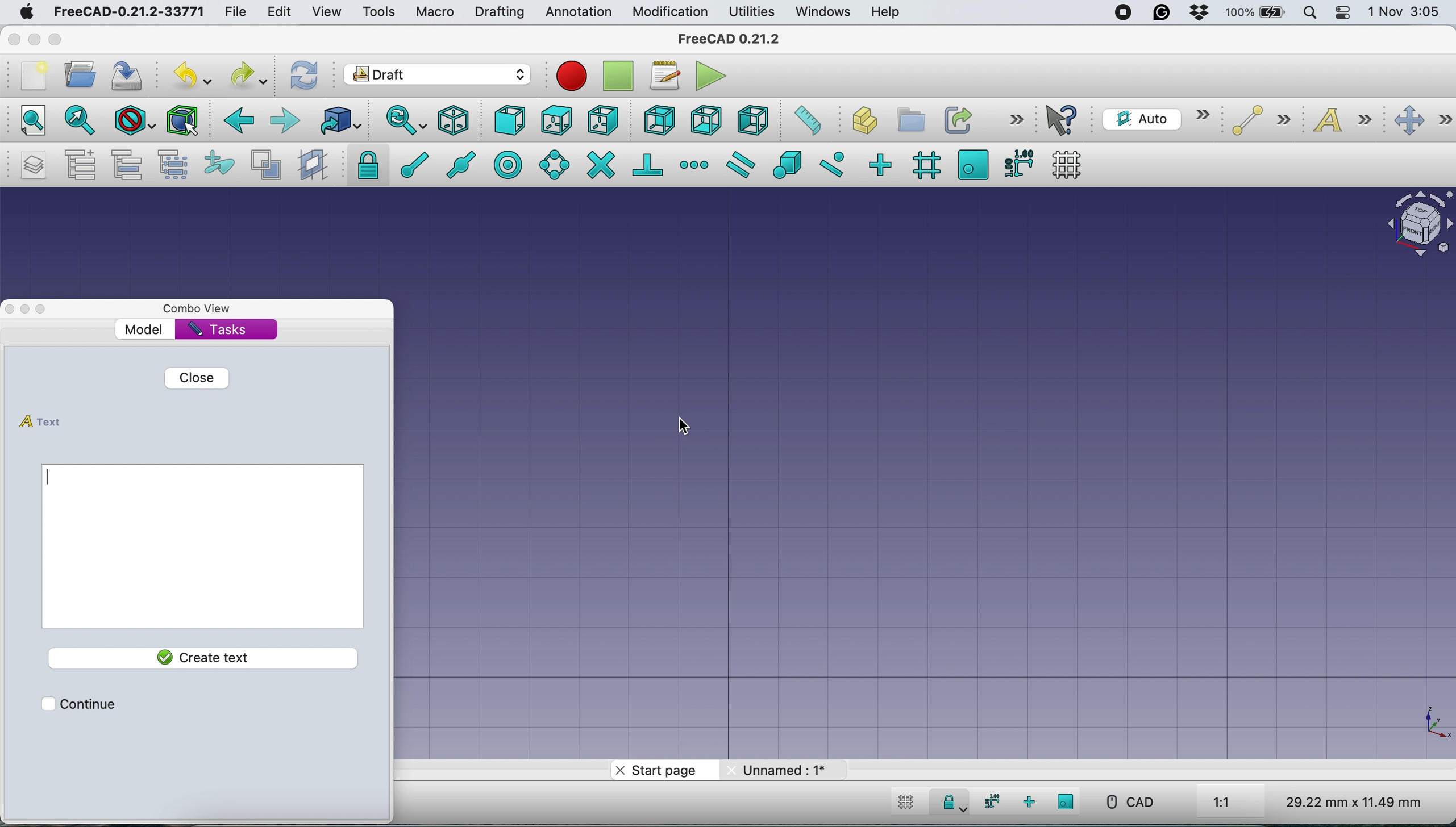  What do you see at coordinates (53, 481) in the screenshot?
I see `enter text` at bounding box center [53, 481].